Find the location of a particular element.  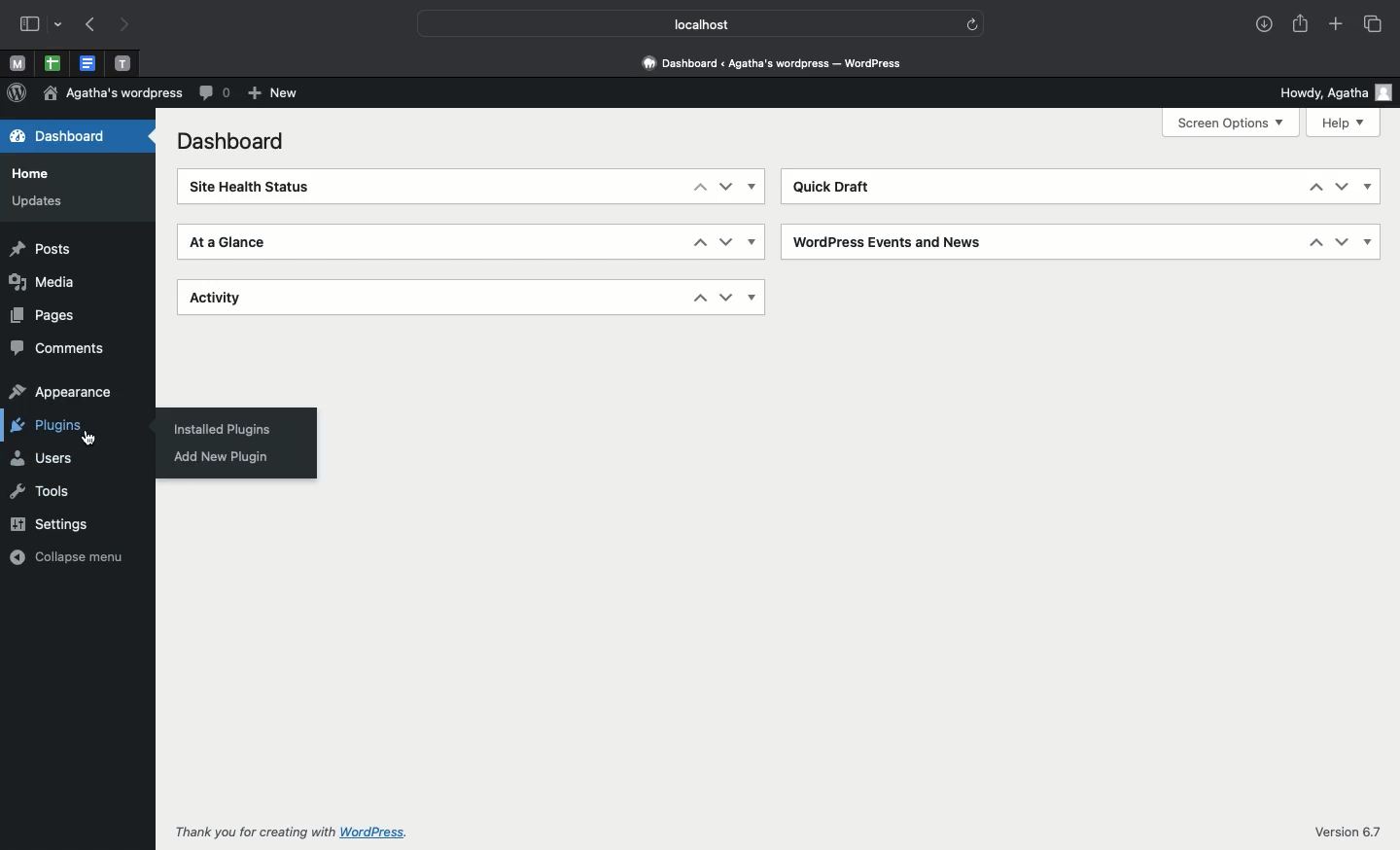

Comment is located at coordinates (213, 94).